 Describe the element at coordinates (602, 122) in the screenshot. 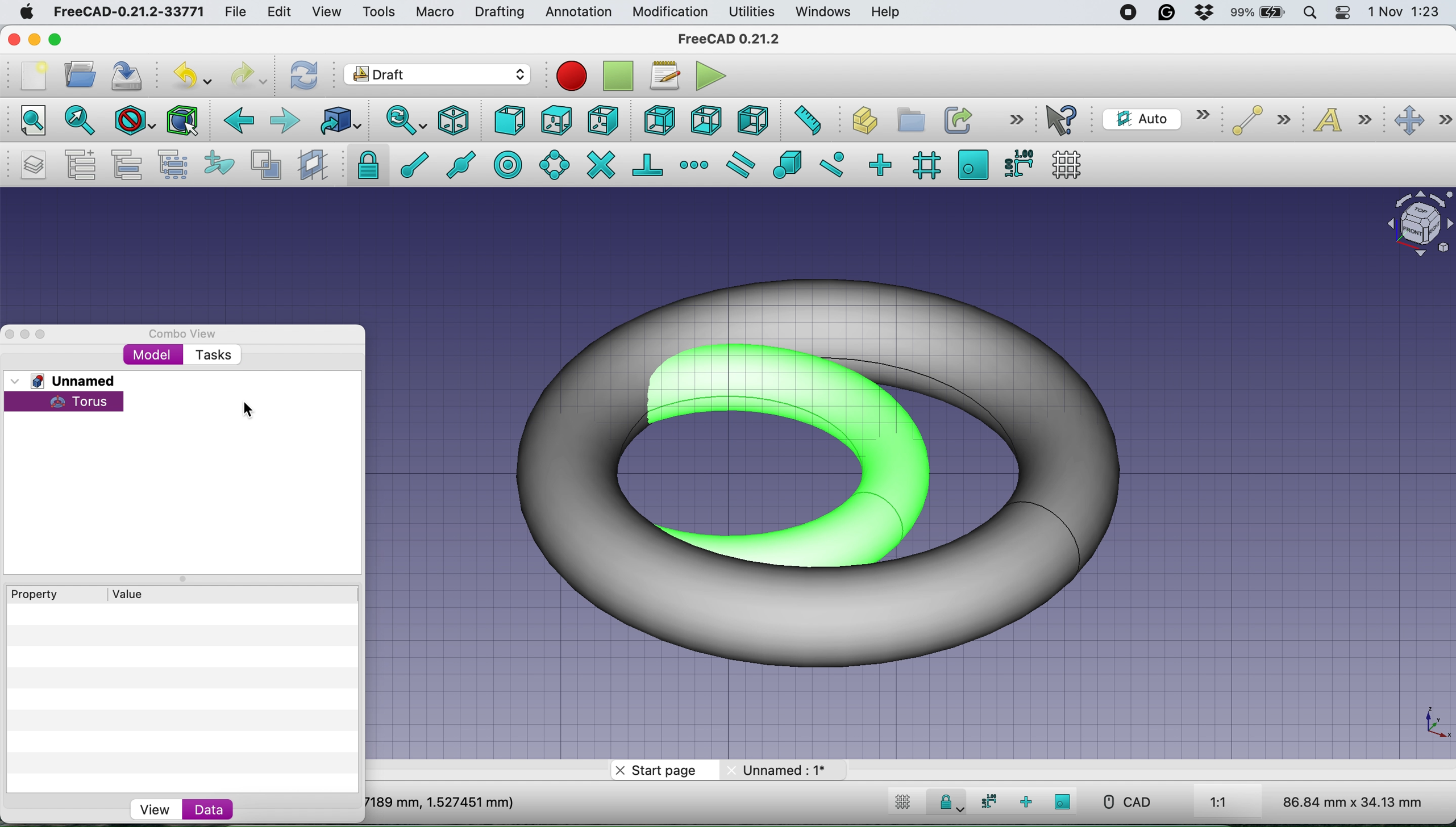

I see `right` at that location.